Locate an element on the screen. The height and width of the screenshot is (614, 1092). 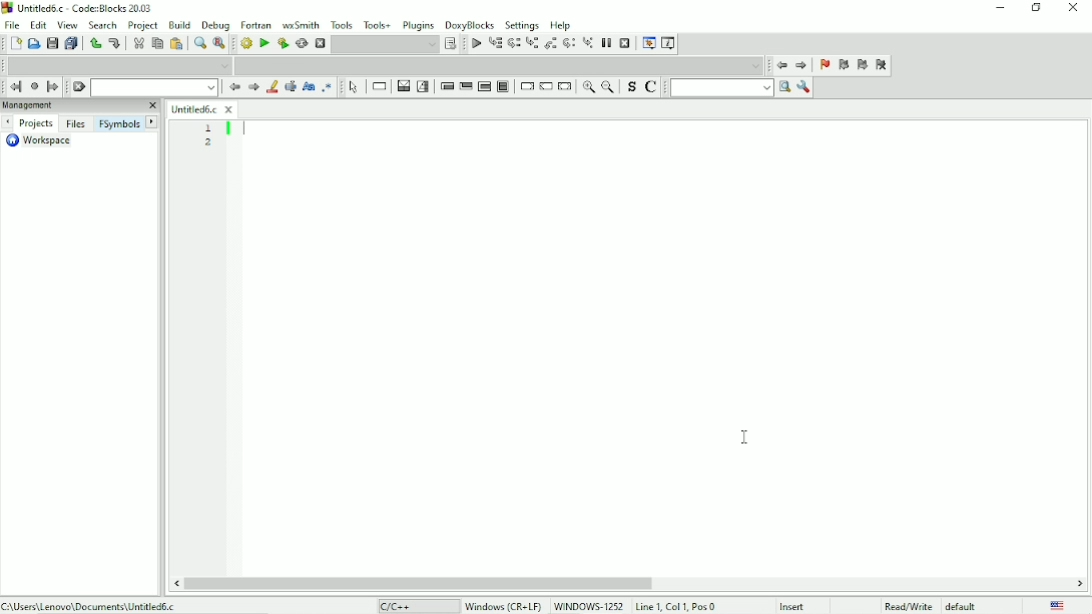
Drop down is located at coordinates (498, 65).